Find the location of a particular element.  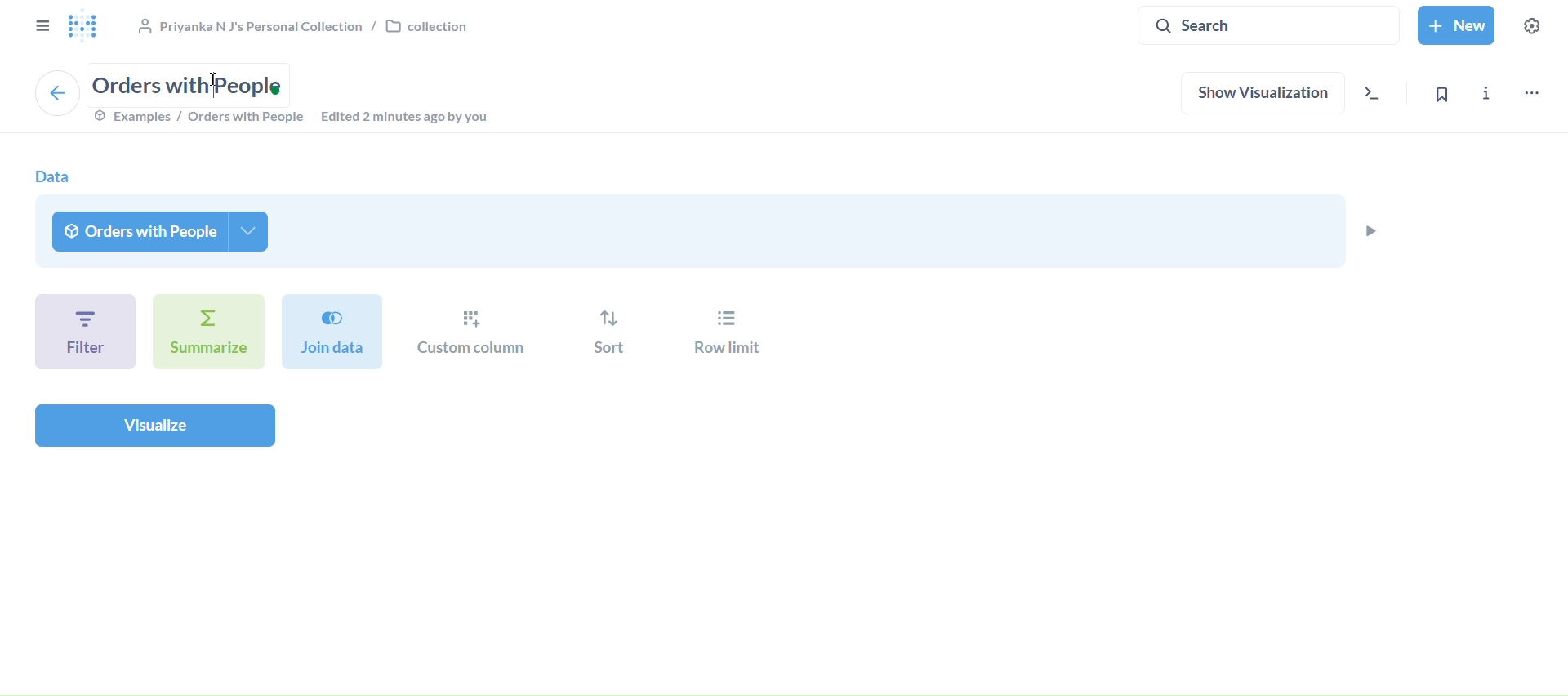

show visualization is located at coordinates (1264, 95).